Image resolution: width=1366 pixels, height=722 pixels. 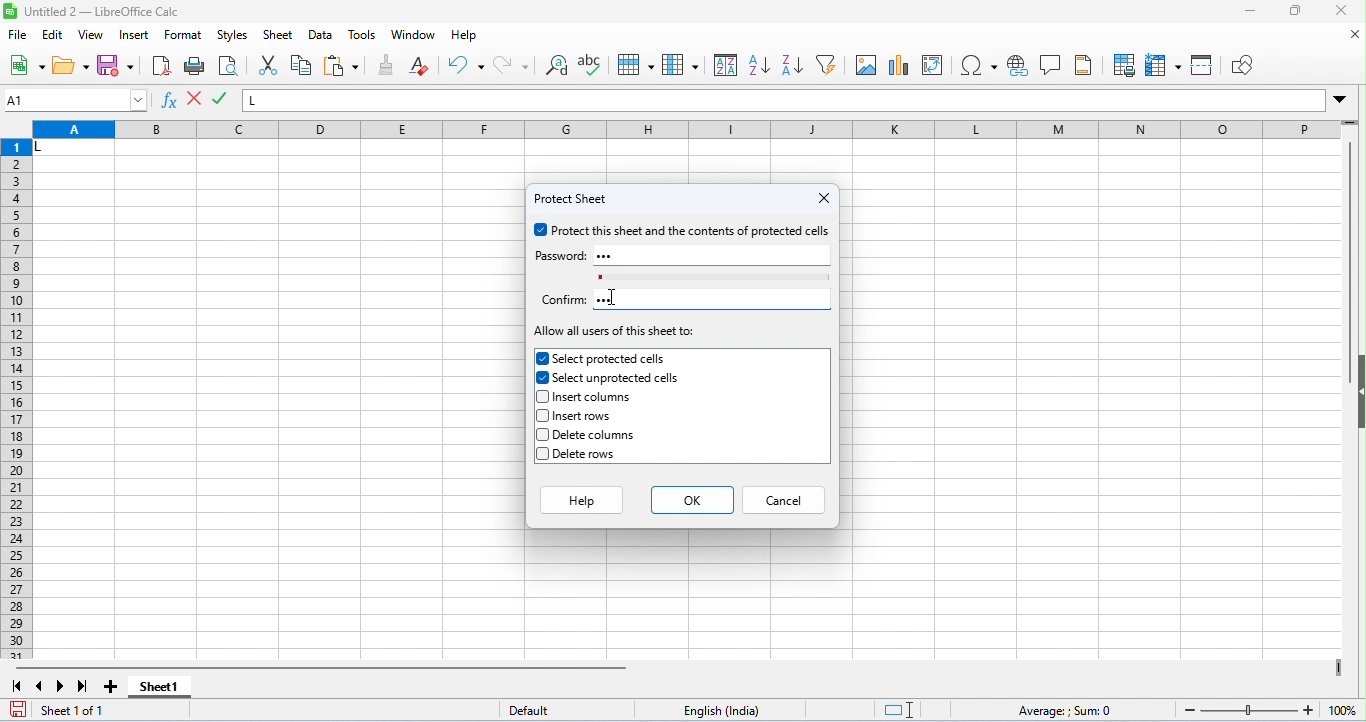 What do you see at coordinates (221, 99) in the screenshot?
I see `reject` at bounding box center [221, 99].